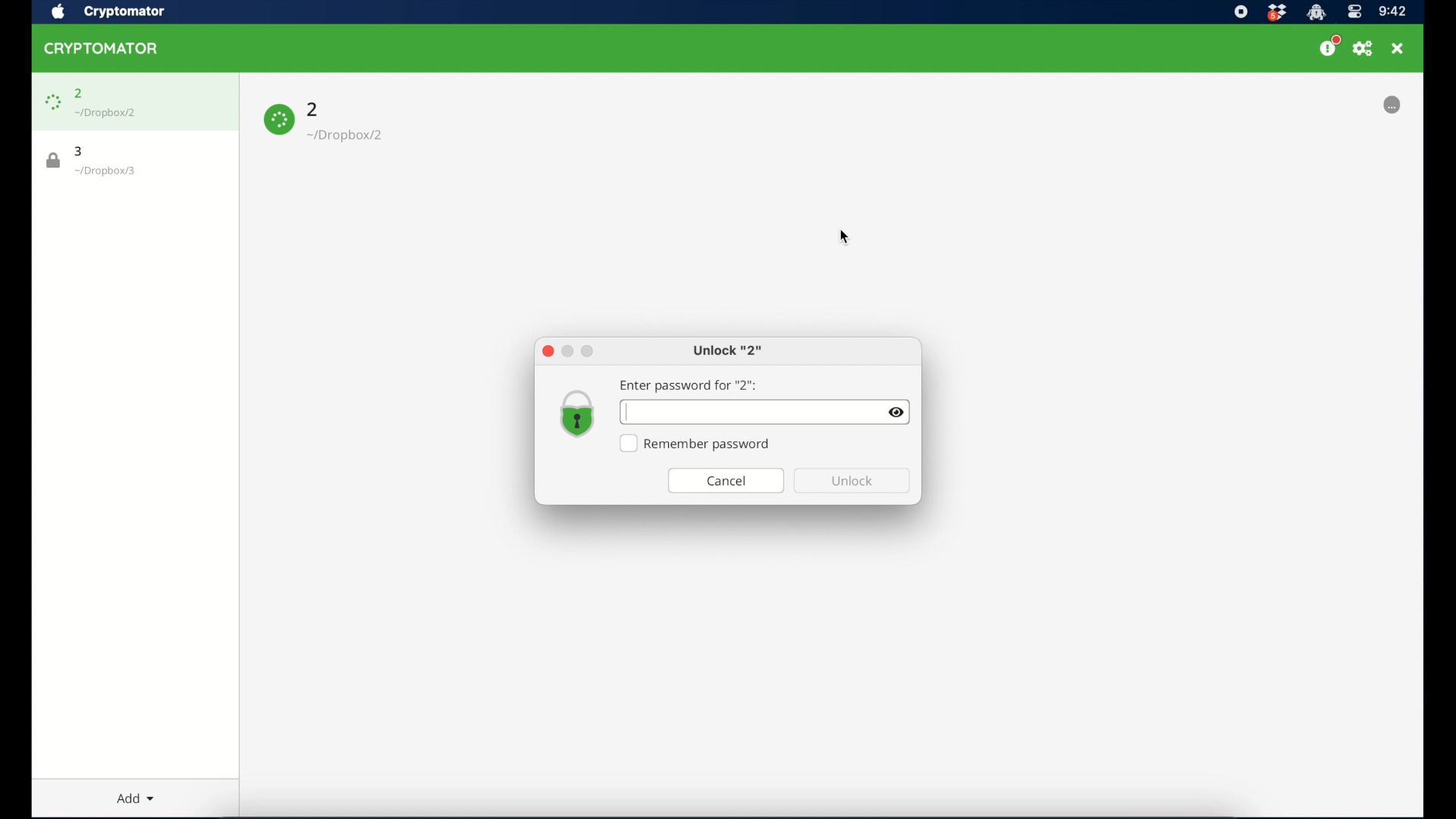  Describe the element at coordinates (1240, 12) in the screenshot. I see `screen recorder icon` at that location.